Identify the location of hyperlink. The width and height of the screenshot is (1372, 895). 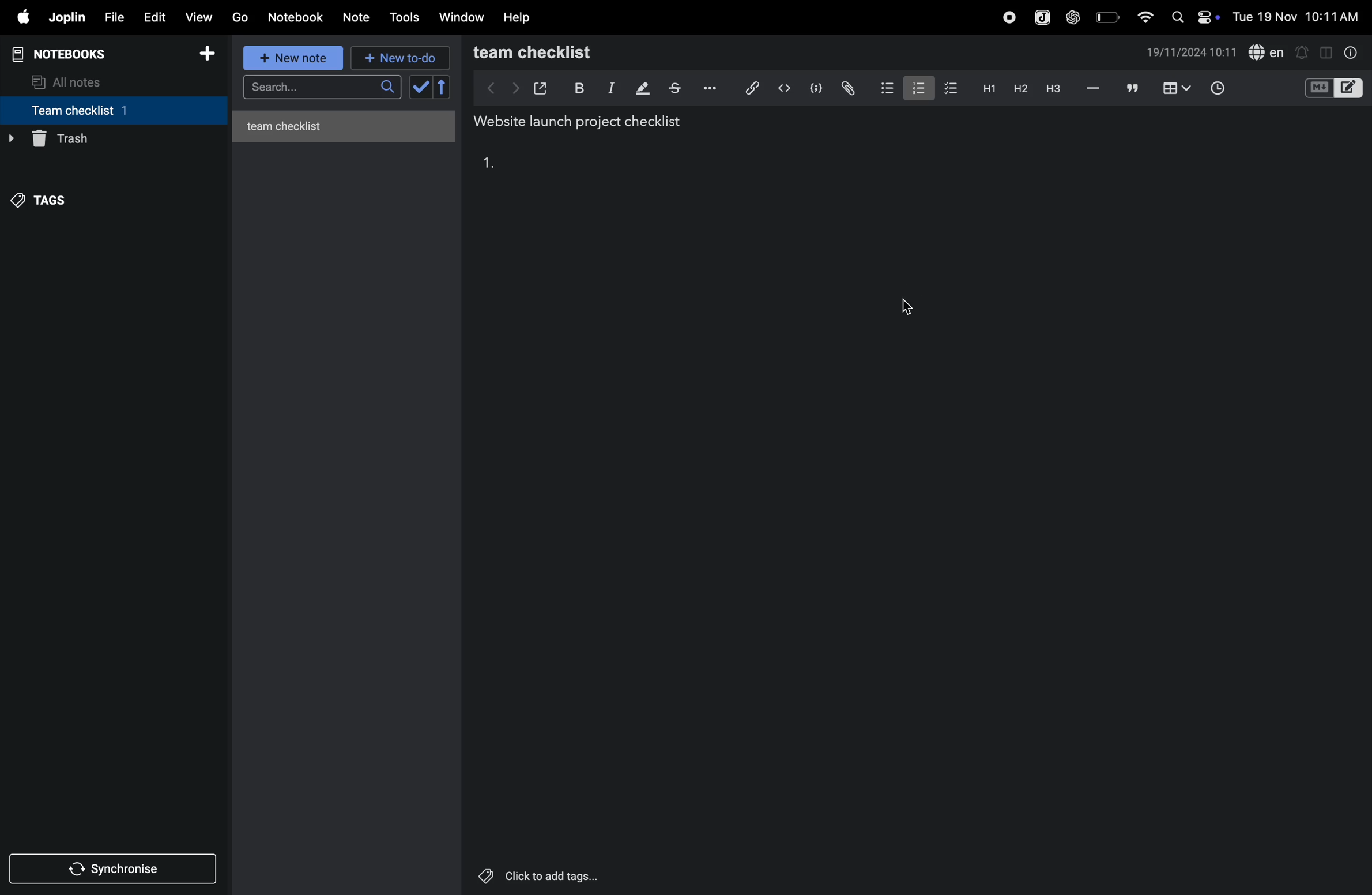
(747, 87).